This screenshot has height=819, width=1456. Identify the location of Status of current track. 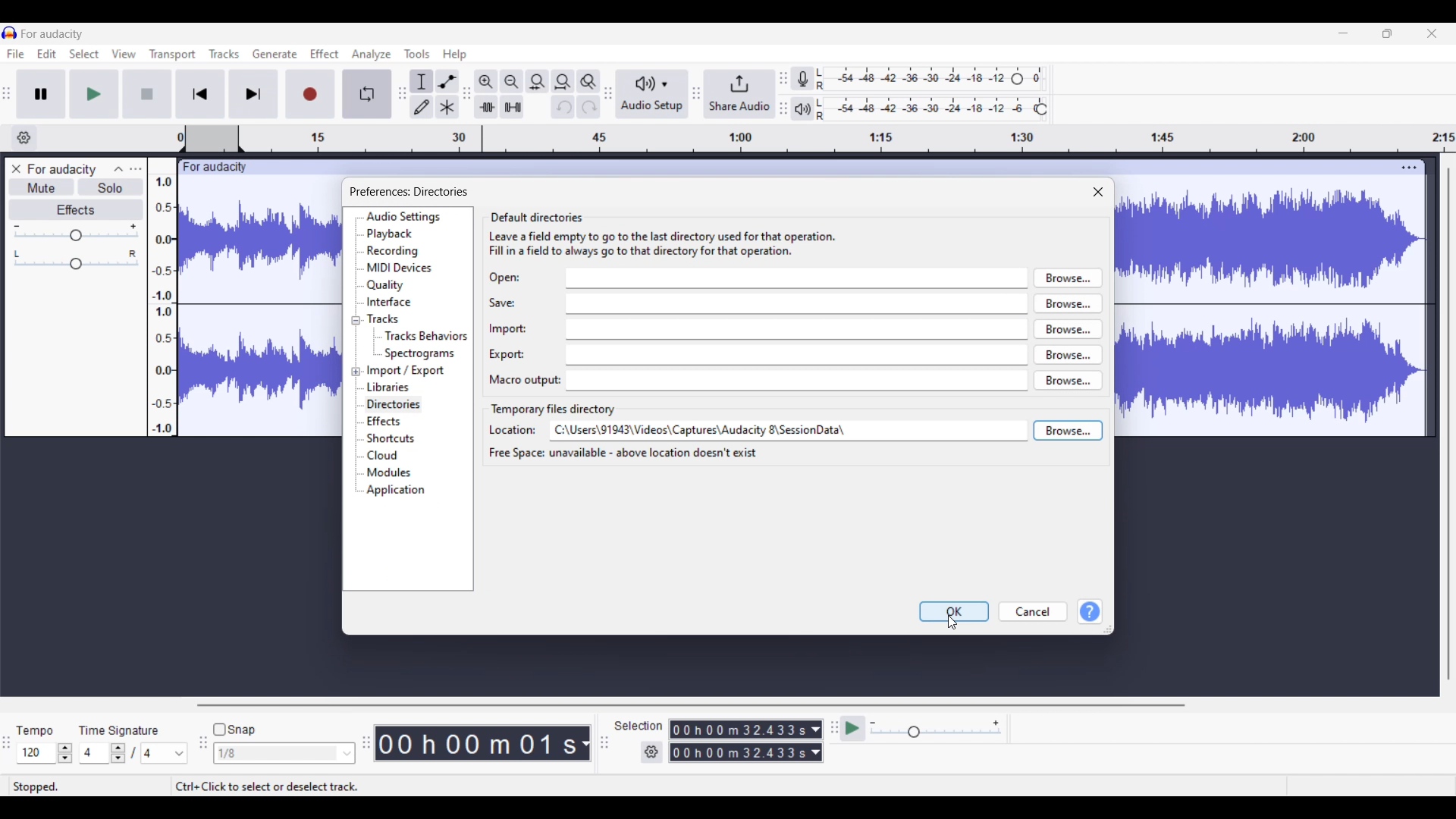
(38, 786).